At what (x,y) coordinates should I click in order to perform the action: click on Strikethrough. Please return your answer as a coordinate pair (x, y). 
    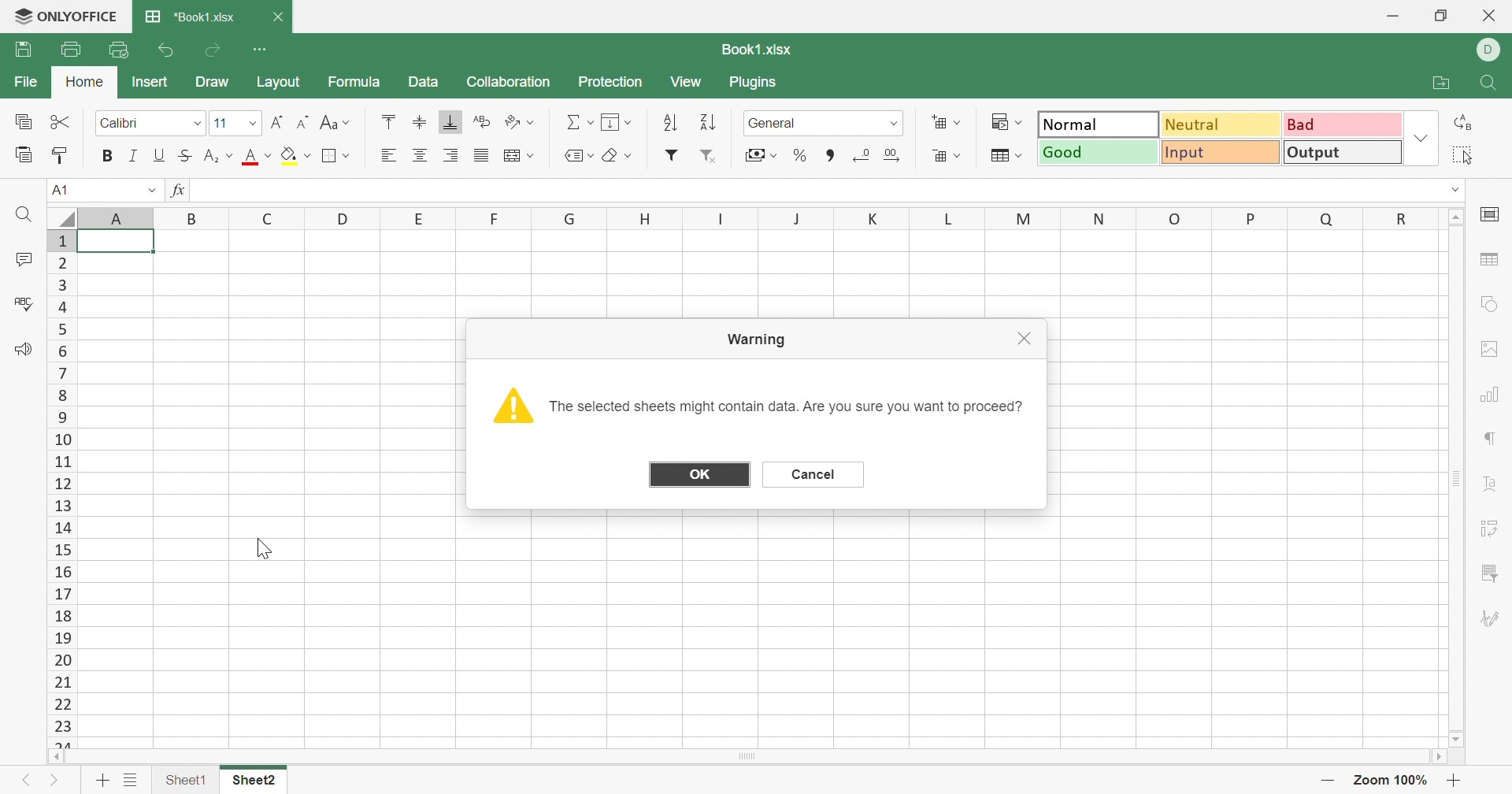
    Looking at the image, I should click on (183, 156).